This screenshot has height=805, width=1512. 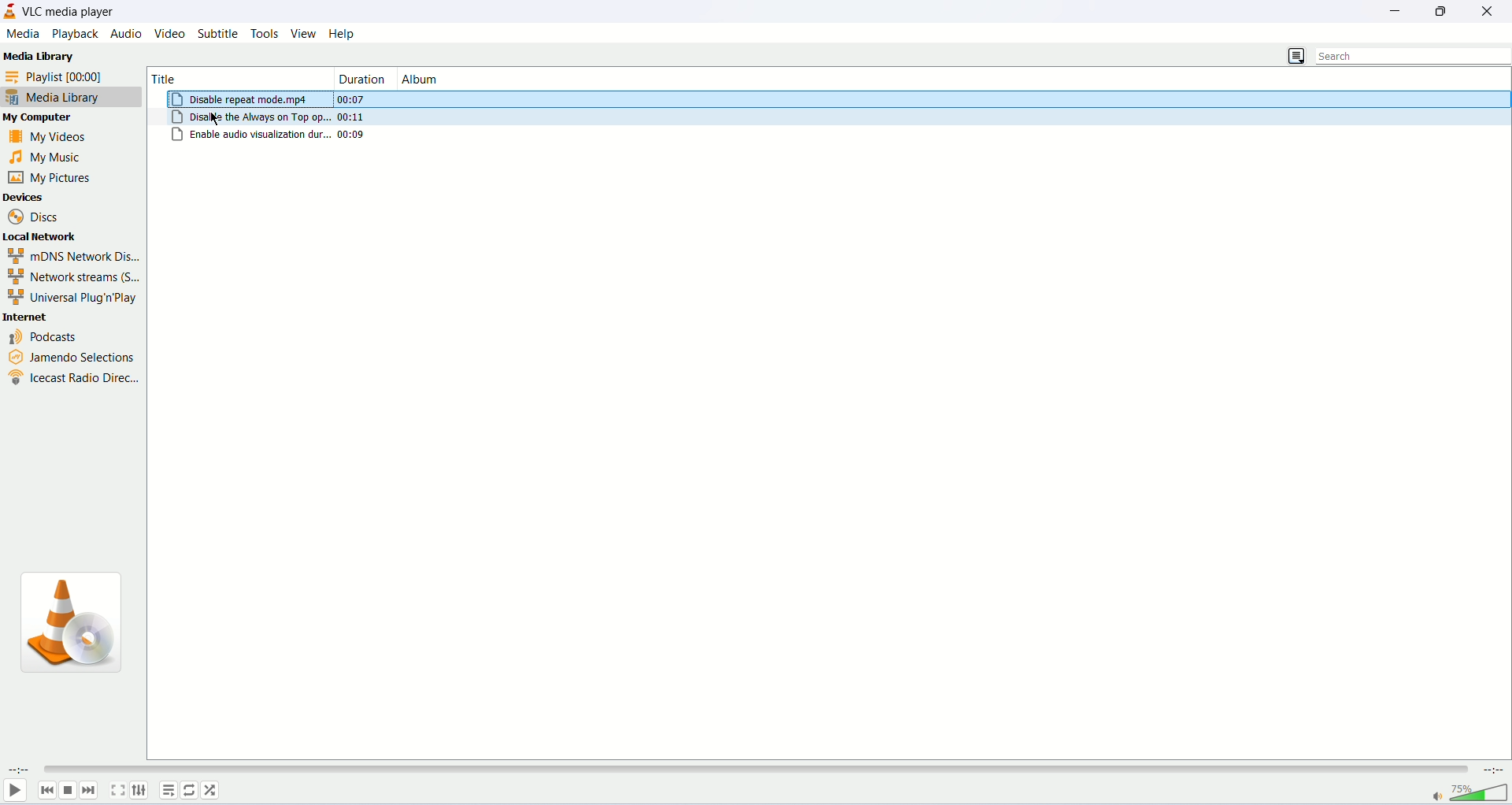 What do you see at coordinates (72, 11) in the screenshot?
I see `VLC media player` at bounding box center [72, 11].